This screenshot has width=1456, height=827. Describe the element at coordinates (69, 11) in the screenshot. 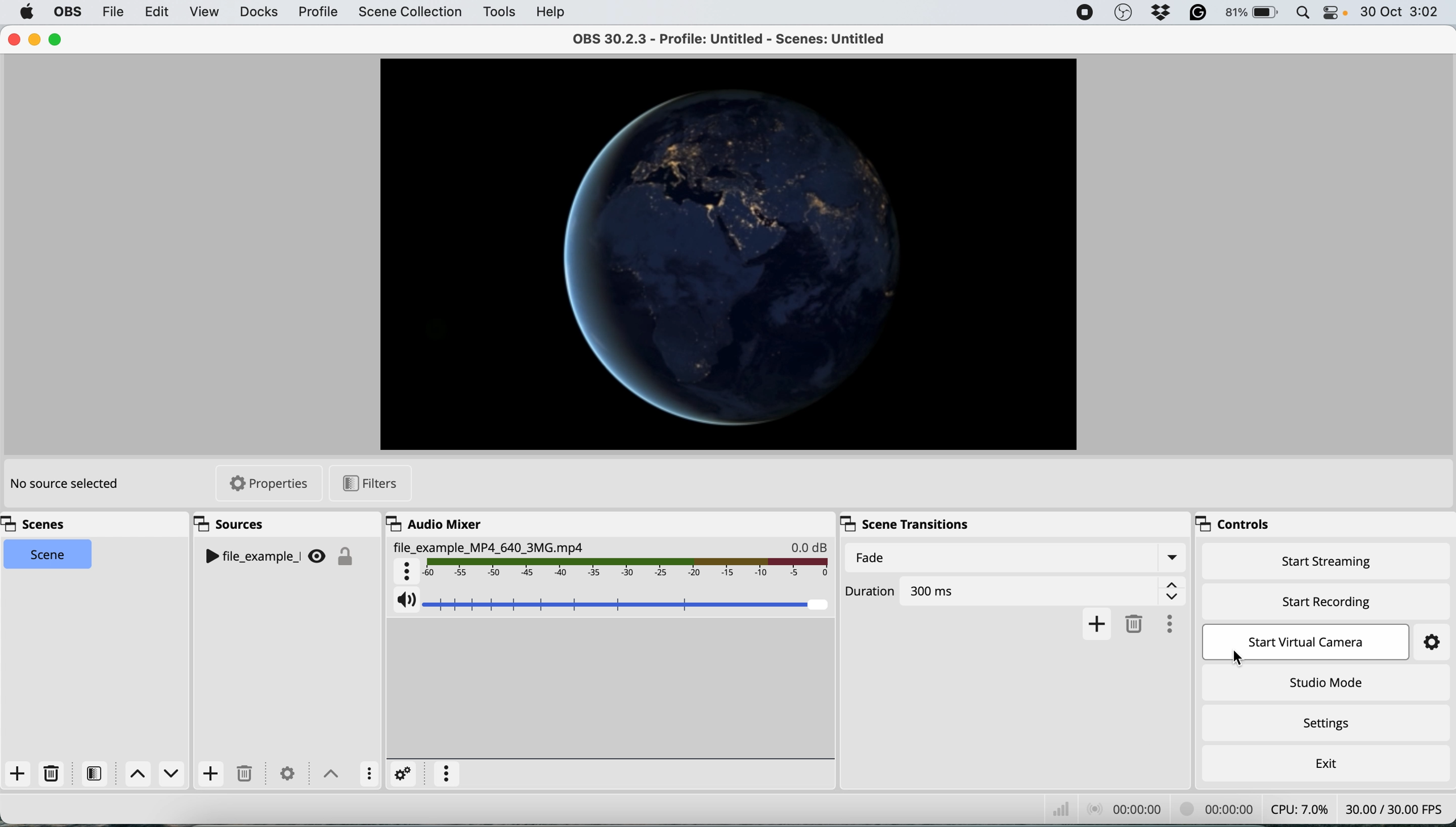

I see `obs` at that location.